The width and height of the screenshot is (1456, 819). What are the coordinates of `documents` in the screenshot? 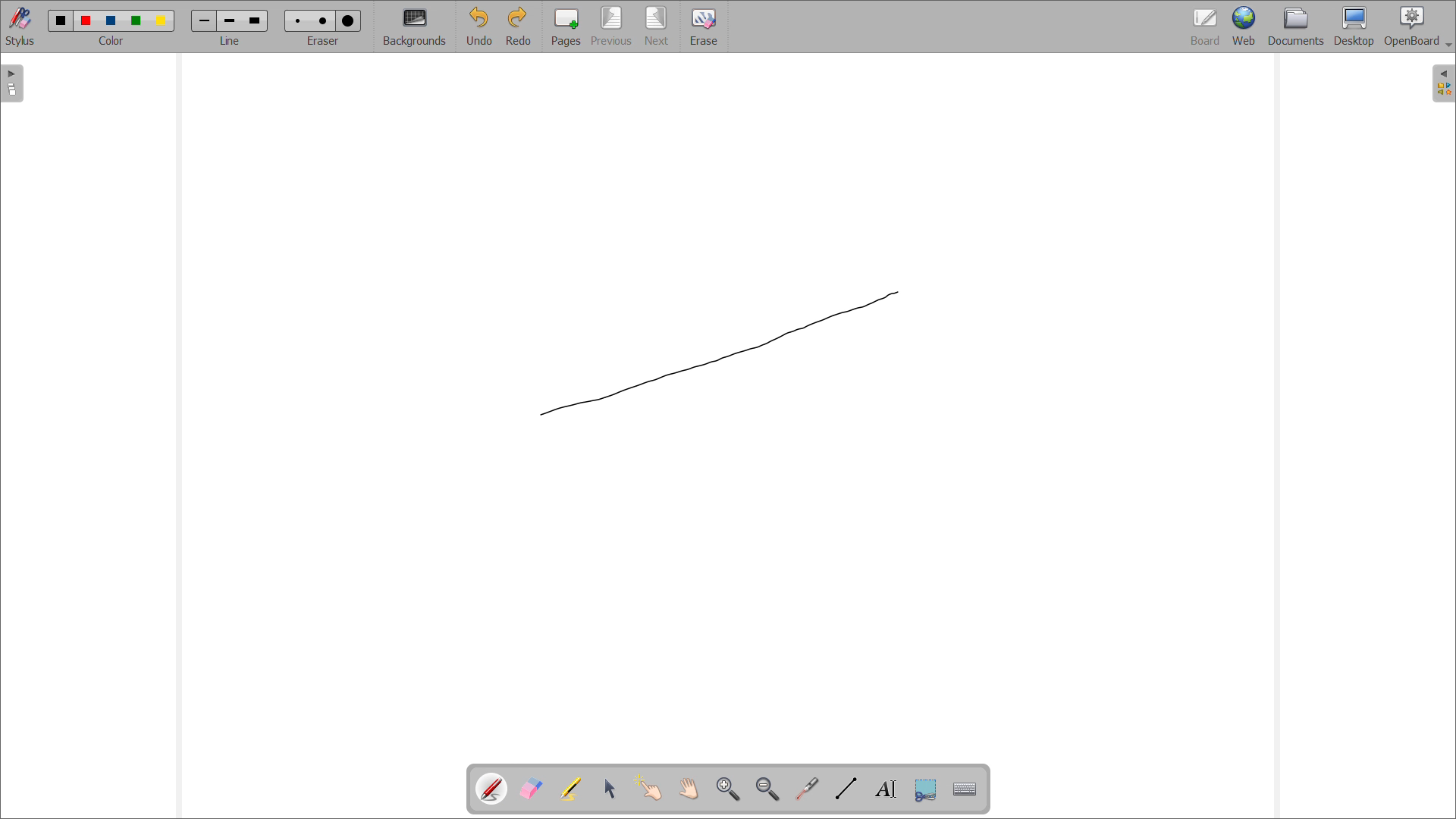 It's located at (1296, 27).